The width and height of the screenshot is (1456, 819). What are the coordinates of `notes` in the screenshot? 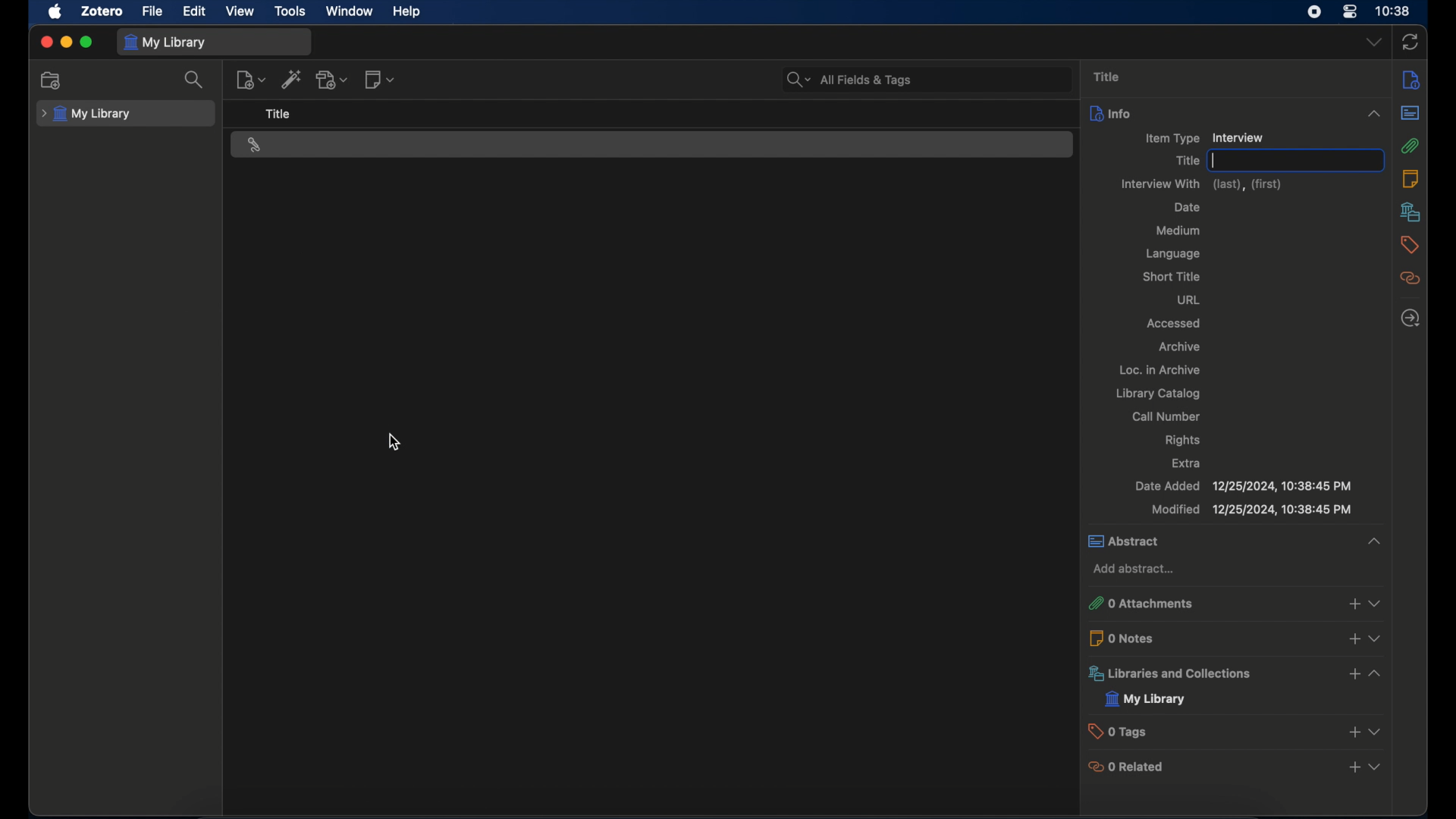 It's located at (1410, 179).